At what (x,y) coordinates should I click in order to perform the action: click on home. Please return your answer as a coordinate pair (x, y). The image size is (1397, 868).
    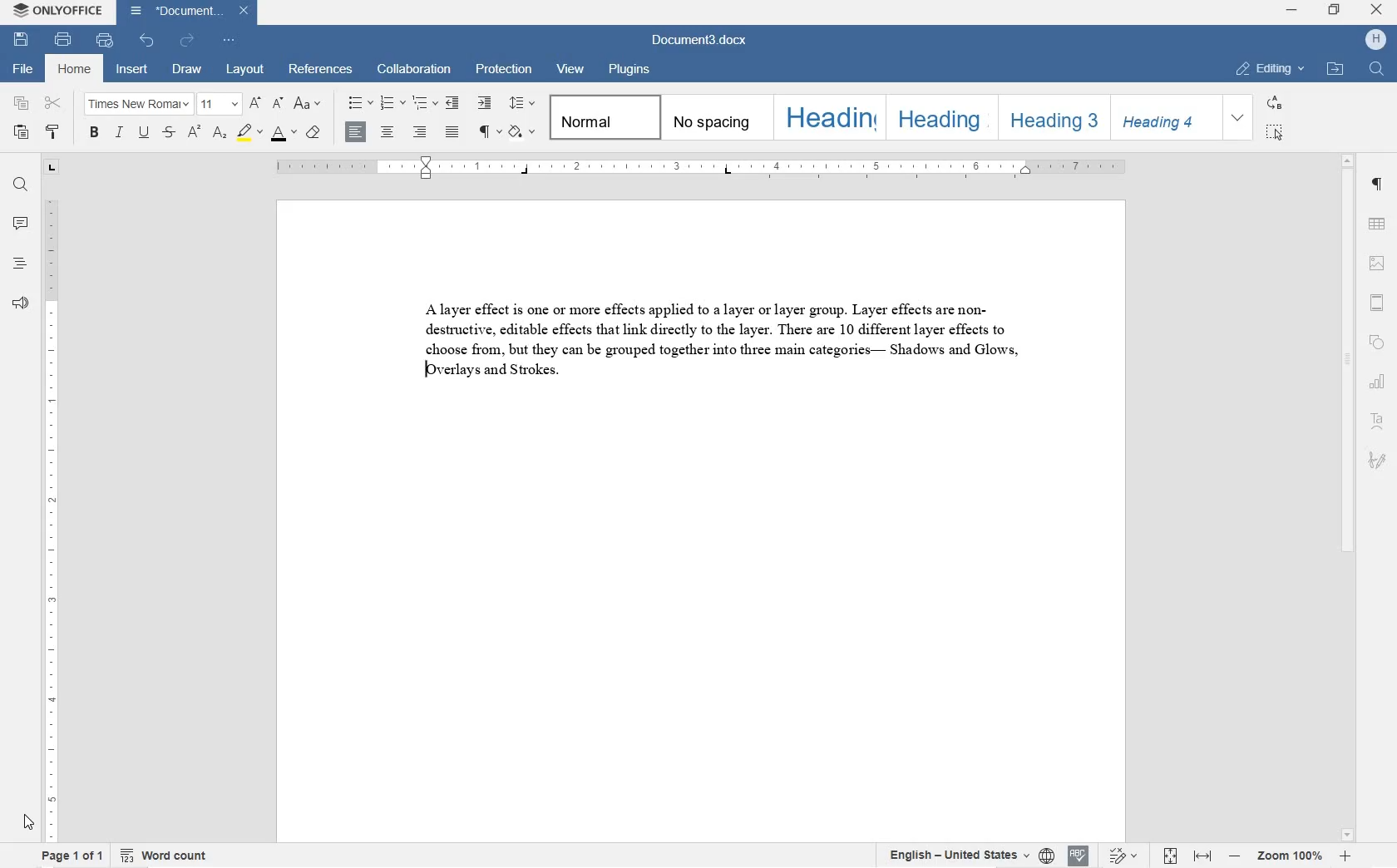
    Looking at the image, I should click on (78, 70).